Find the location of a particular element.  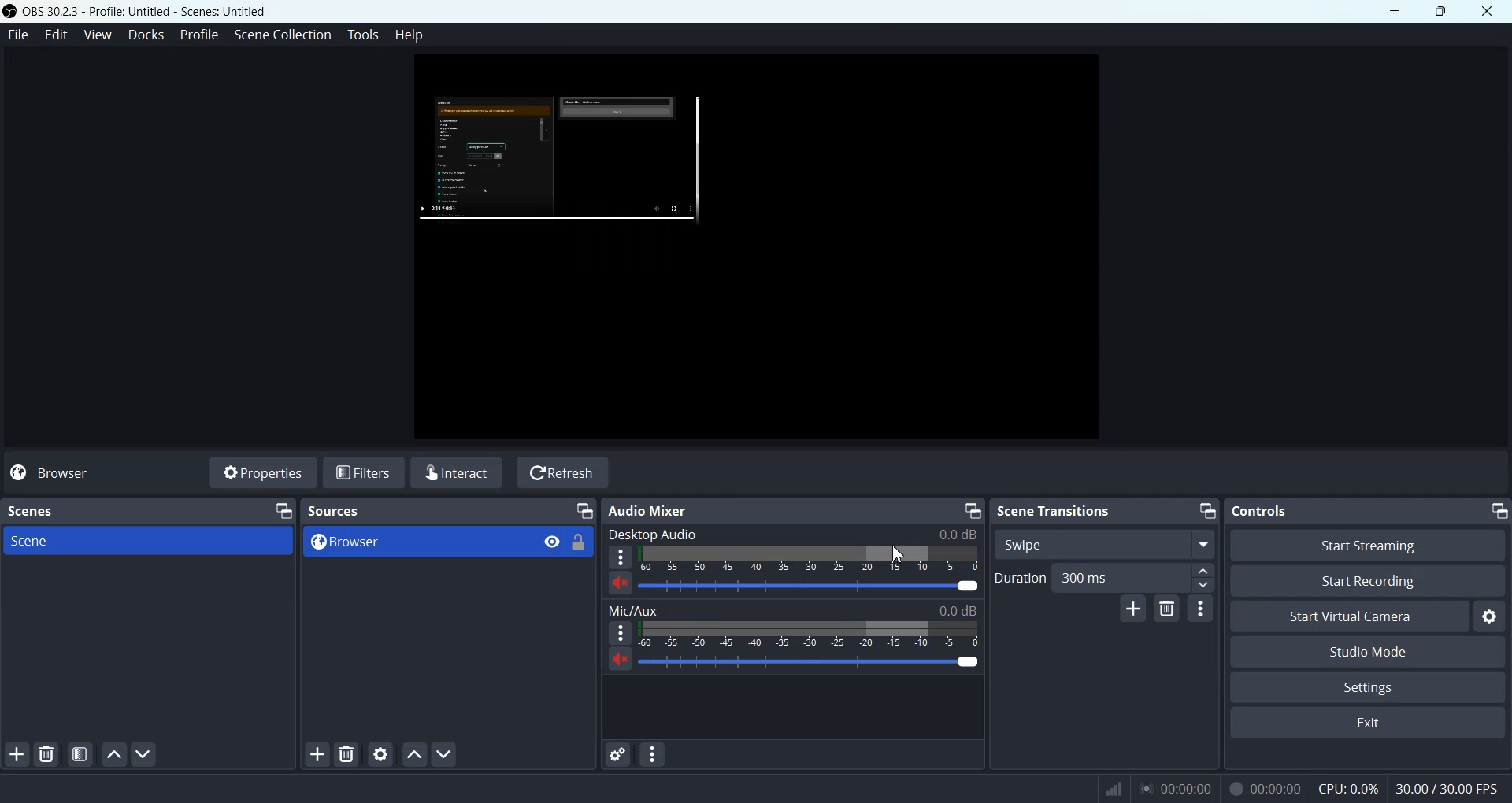

Remove configurable transition is located at coordinates (1166, 609).